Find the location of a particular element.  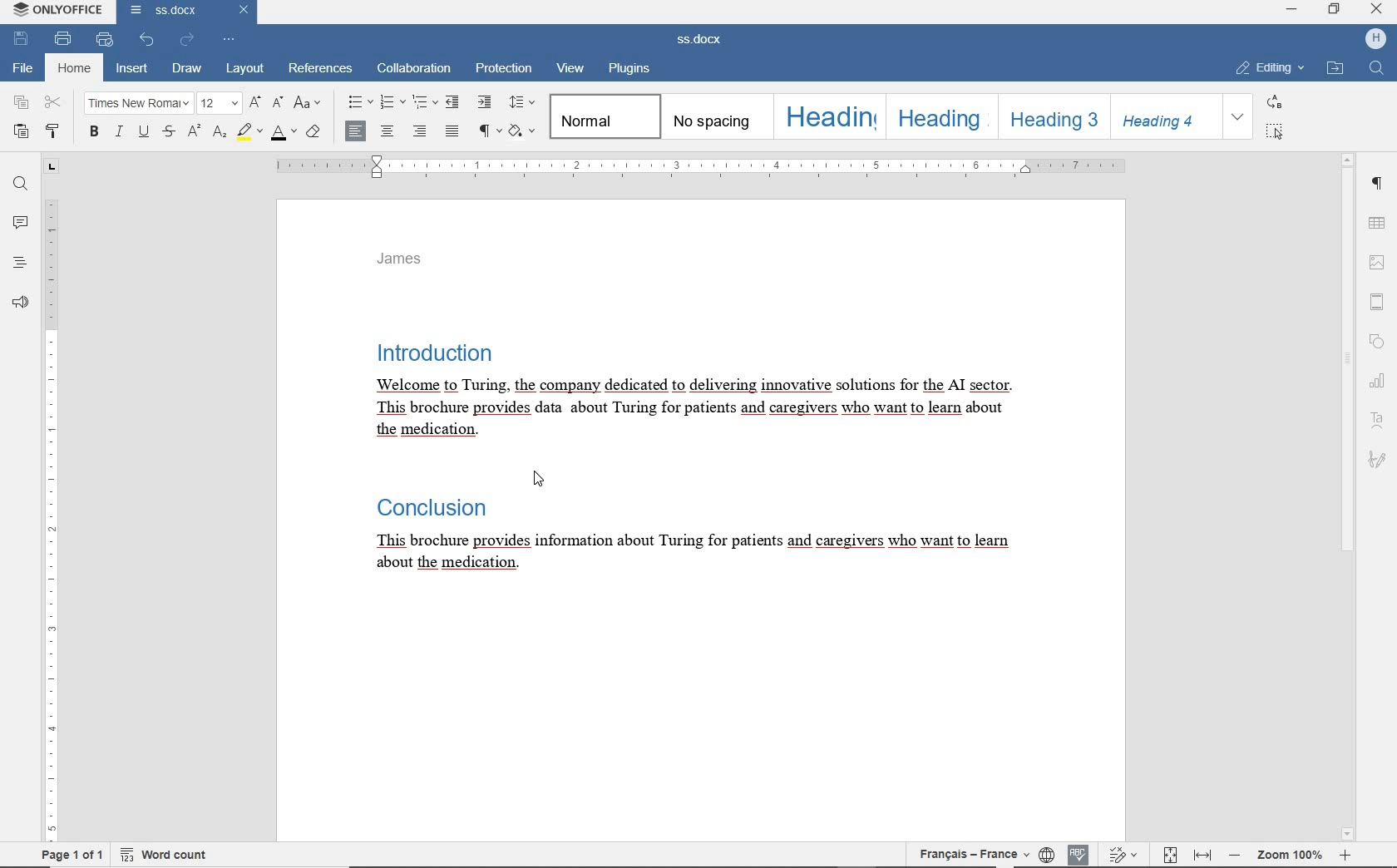

FIT TO PAGE is located at coordinates (1170, 854).